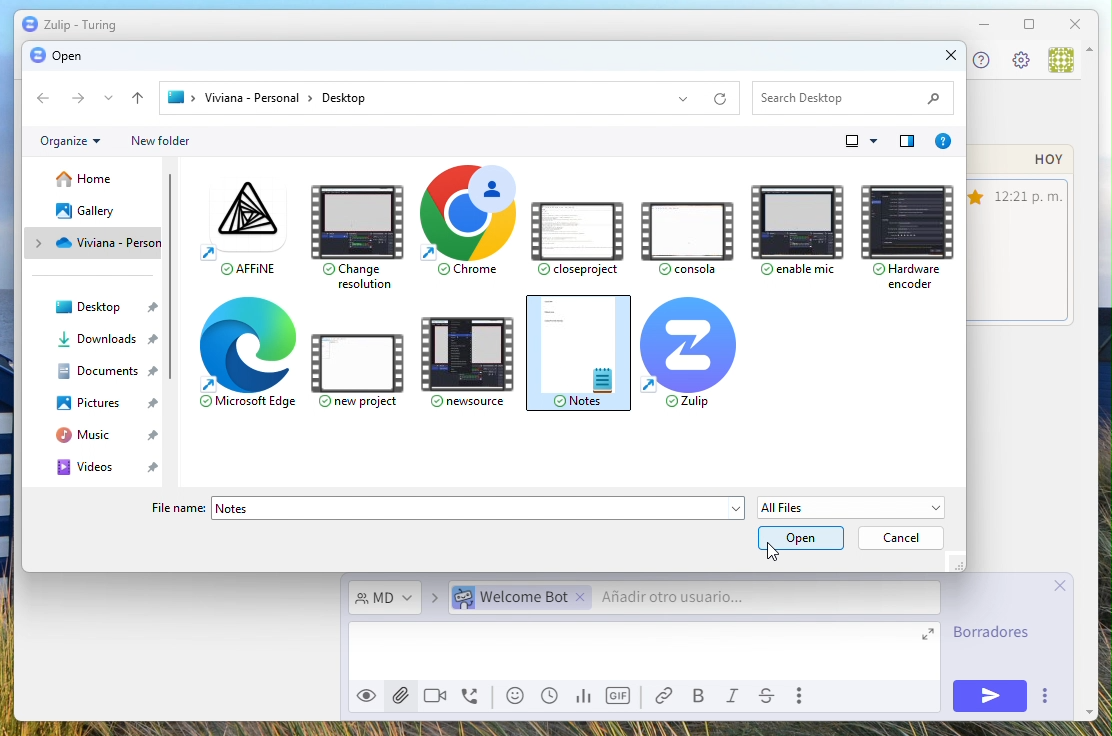 This screenshot has width=1112, height=736. What do you see at coordinates (1077, 23) in the screenshot?
I see `Close` at bounding box center [1077, 23].